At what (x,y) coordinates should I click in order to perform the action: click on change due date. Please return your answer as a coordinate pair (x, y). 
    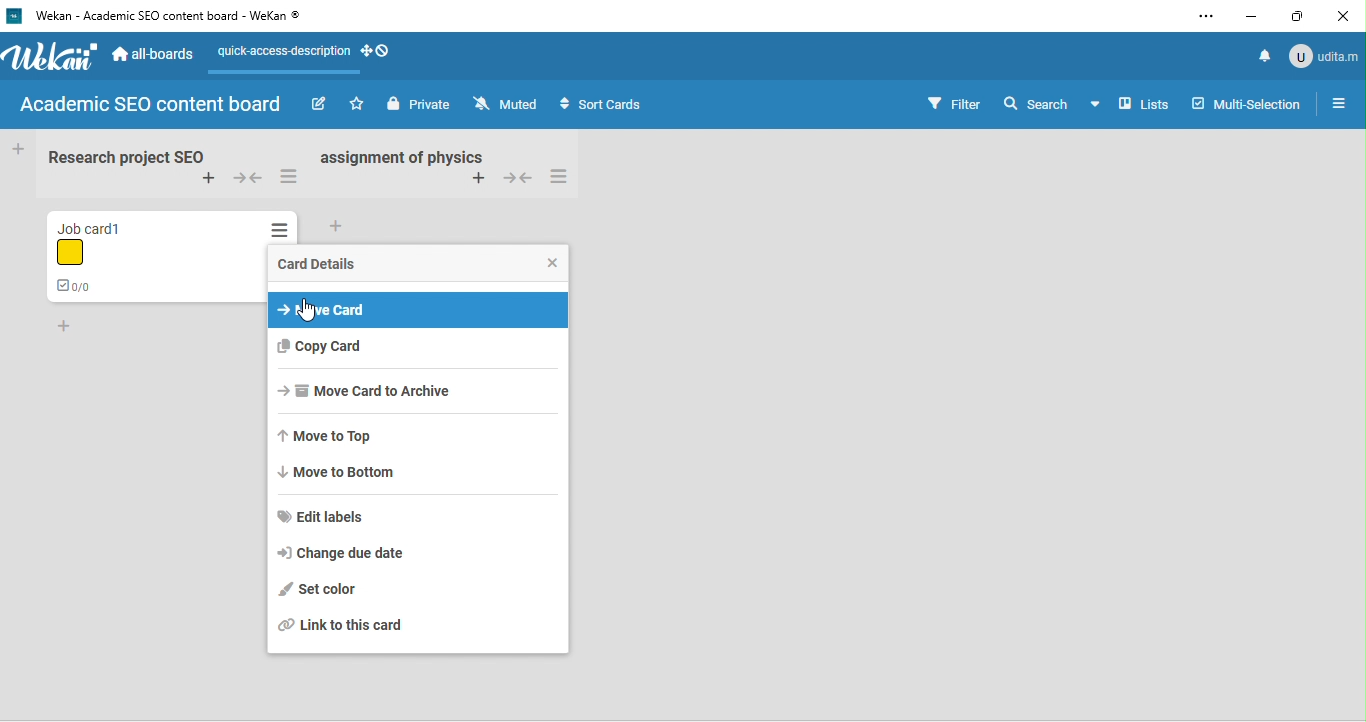
    Looking at the image, I should click on (367, 556).